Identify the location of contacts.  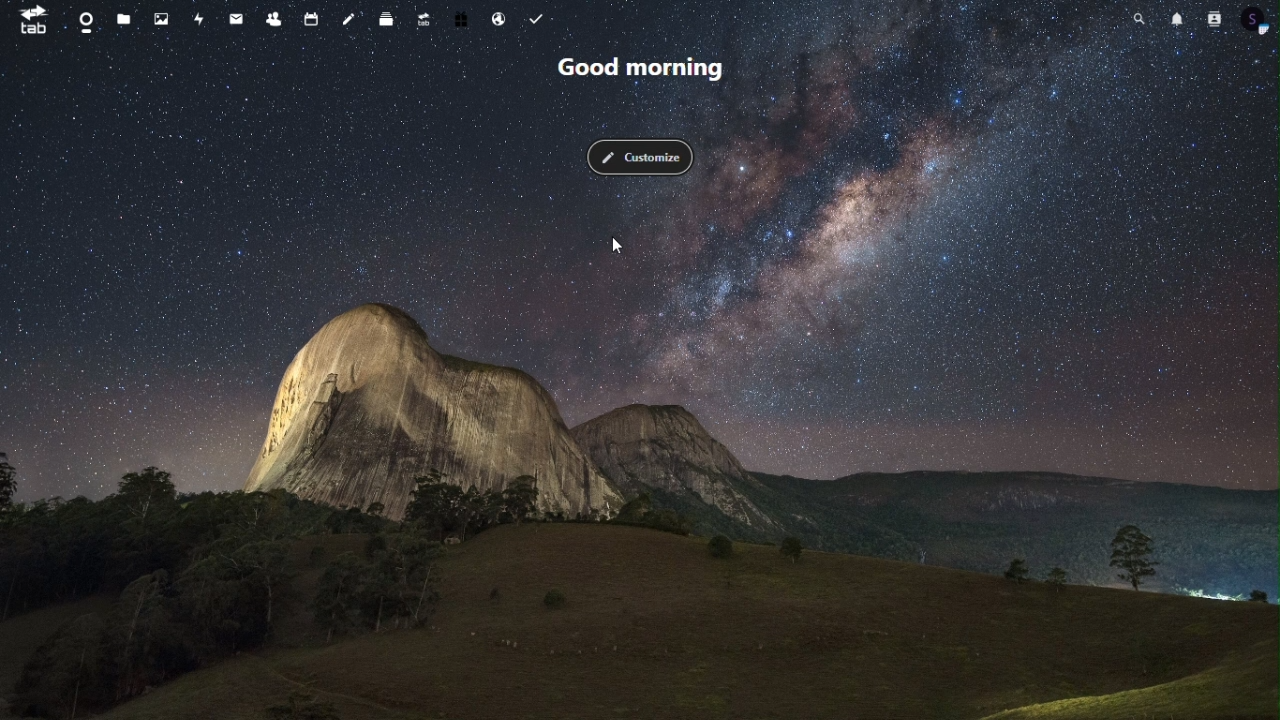
(1216, 21).